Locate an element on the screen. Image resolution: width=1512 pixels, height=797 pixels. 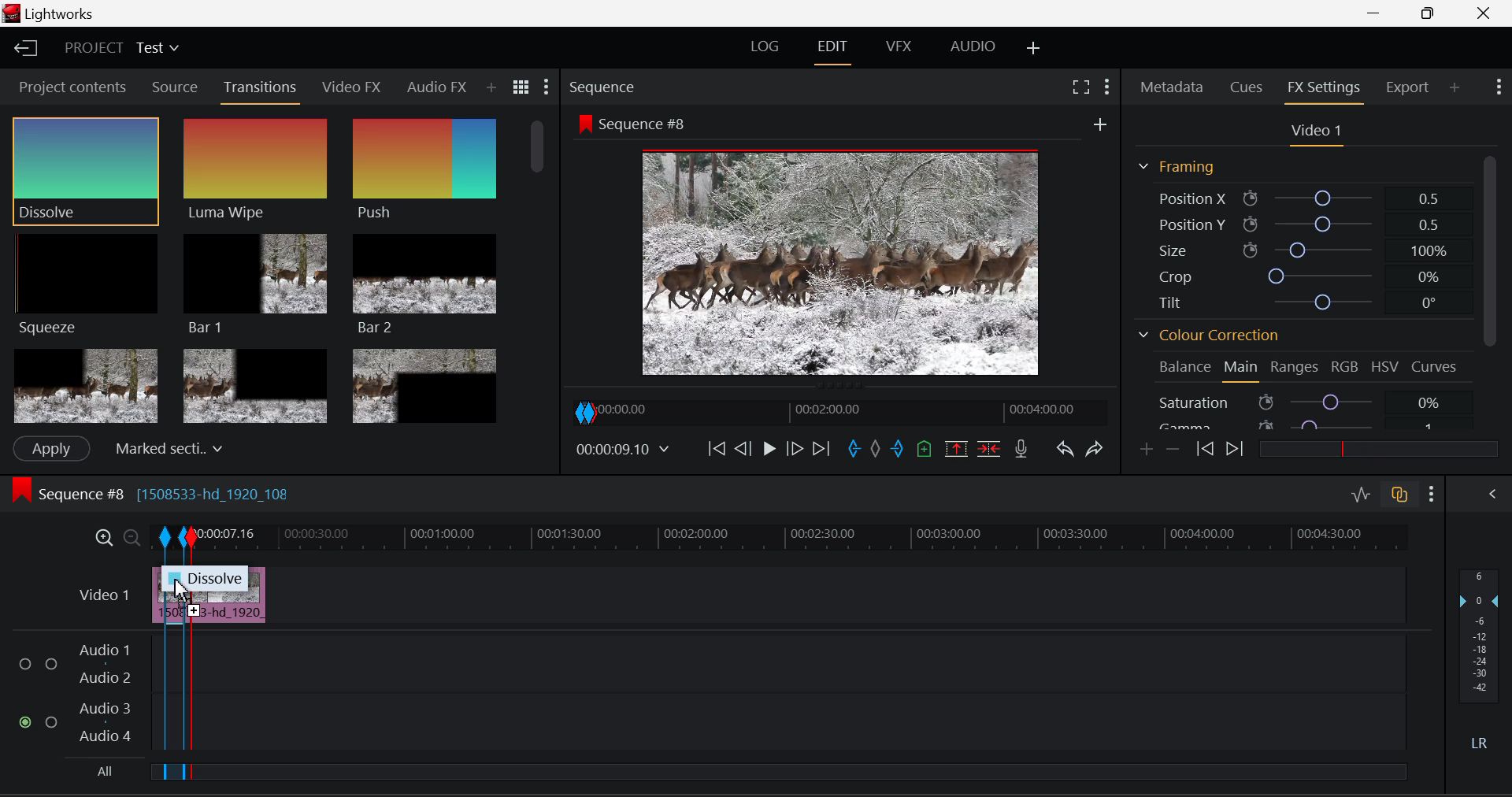
Main is located at coordinates (1242, 369).